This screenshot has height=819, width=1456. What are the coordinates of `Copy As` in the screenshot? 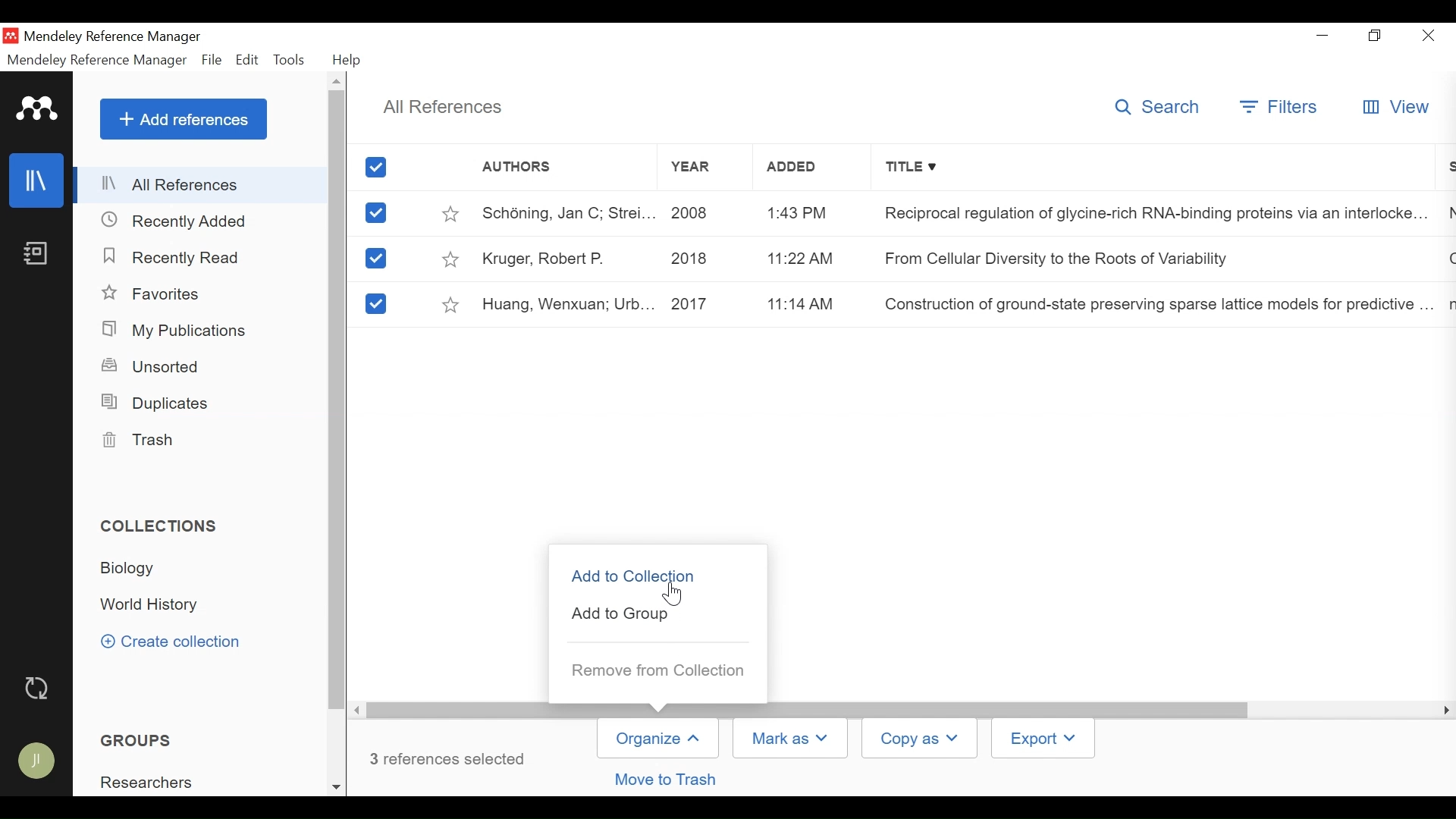 It's located at (921, 739).